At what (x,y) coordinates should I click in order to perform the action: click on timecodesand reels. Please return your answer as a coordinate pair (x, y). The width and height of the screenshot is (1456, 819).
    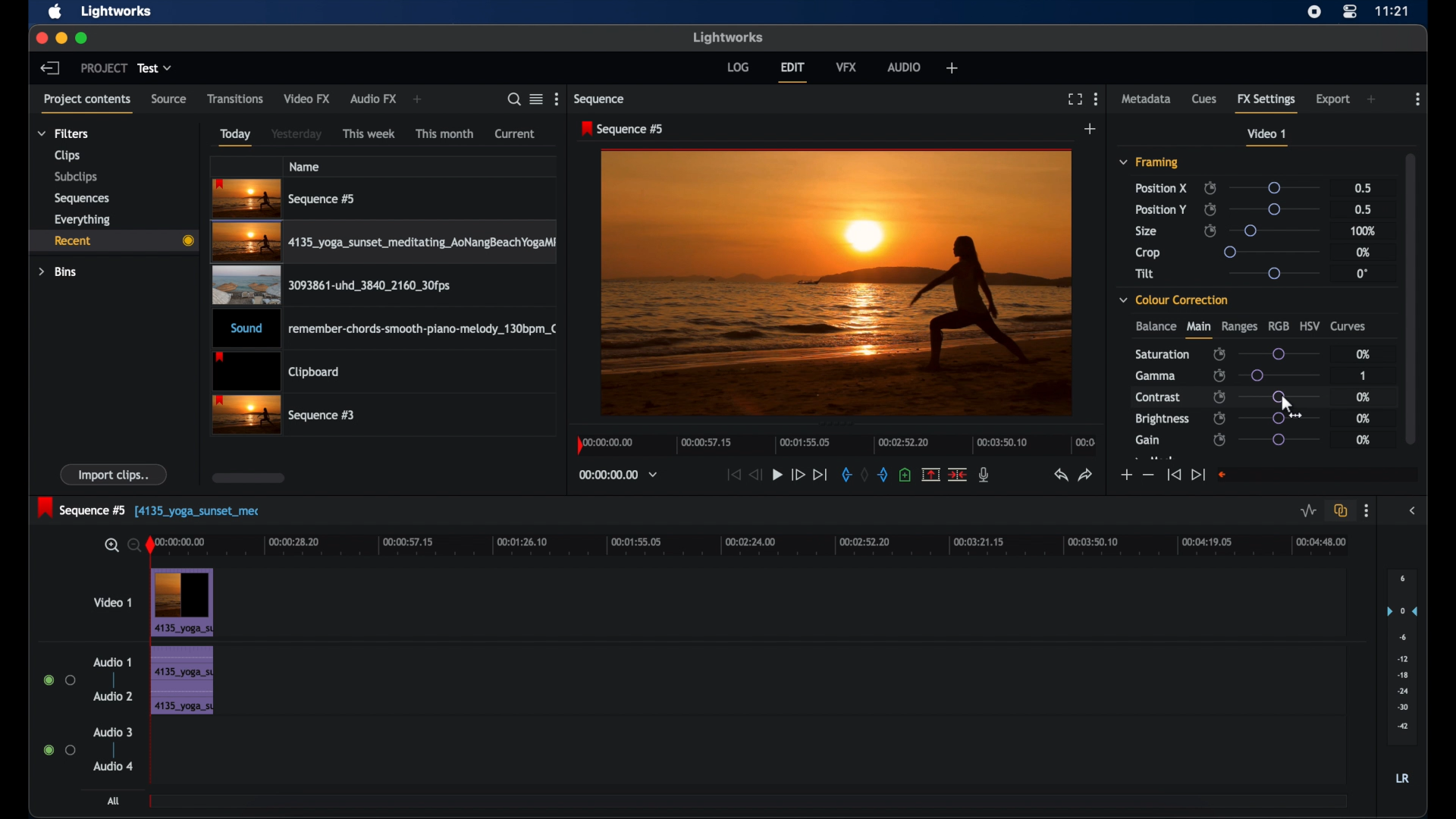
    Looking at the image, I should click on (619, 475).